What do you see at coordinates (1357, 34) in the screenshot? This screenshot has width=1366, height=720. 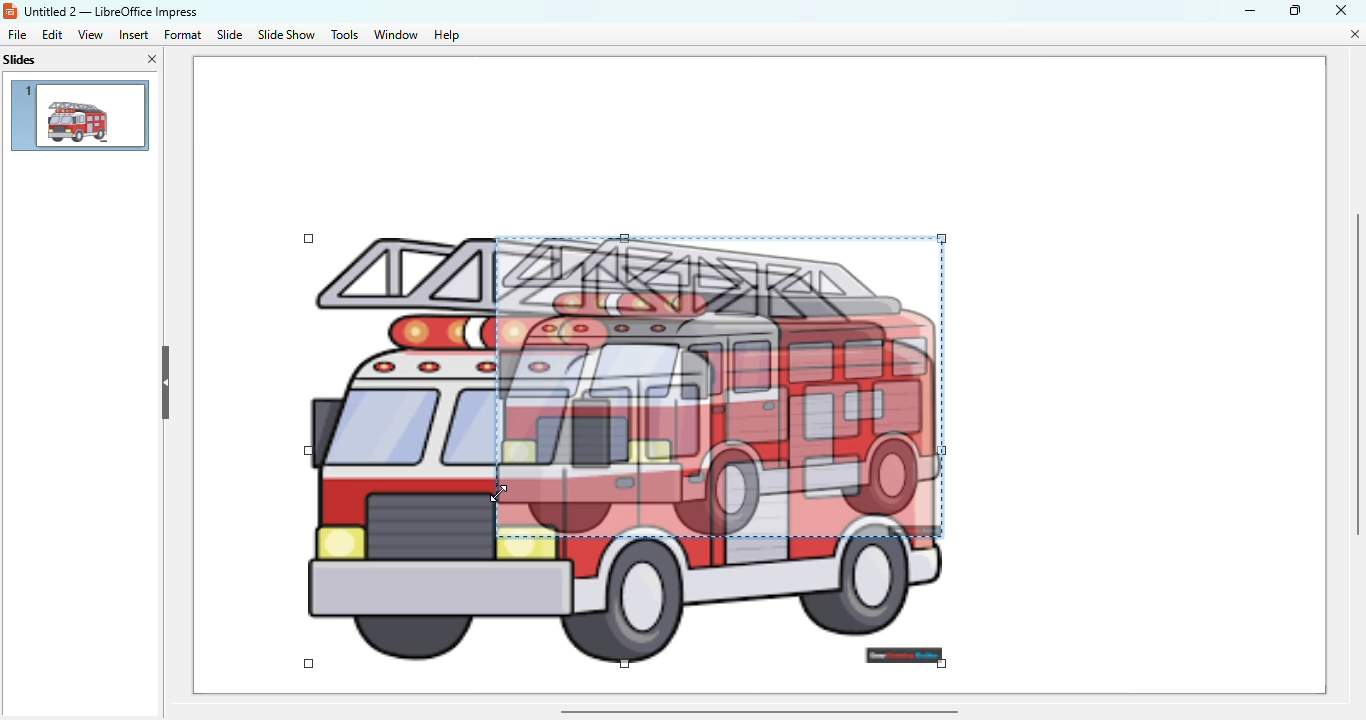 I see `close document` at bounding box center [1357, 34].